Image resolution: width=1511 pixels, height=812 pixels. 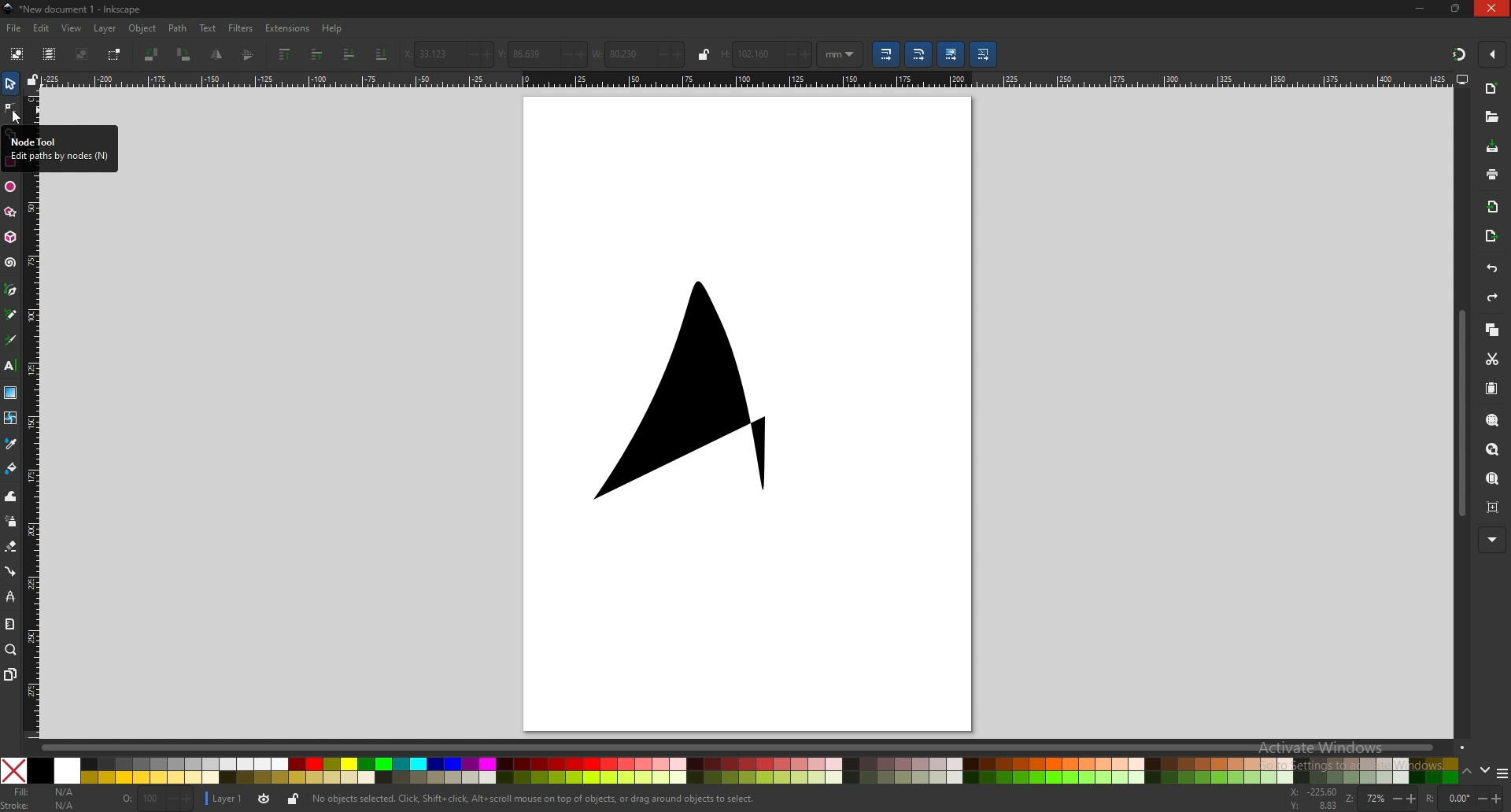 I want to click on flip horizontally, so click(x=250, y=54).